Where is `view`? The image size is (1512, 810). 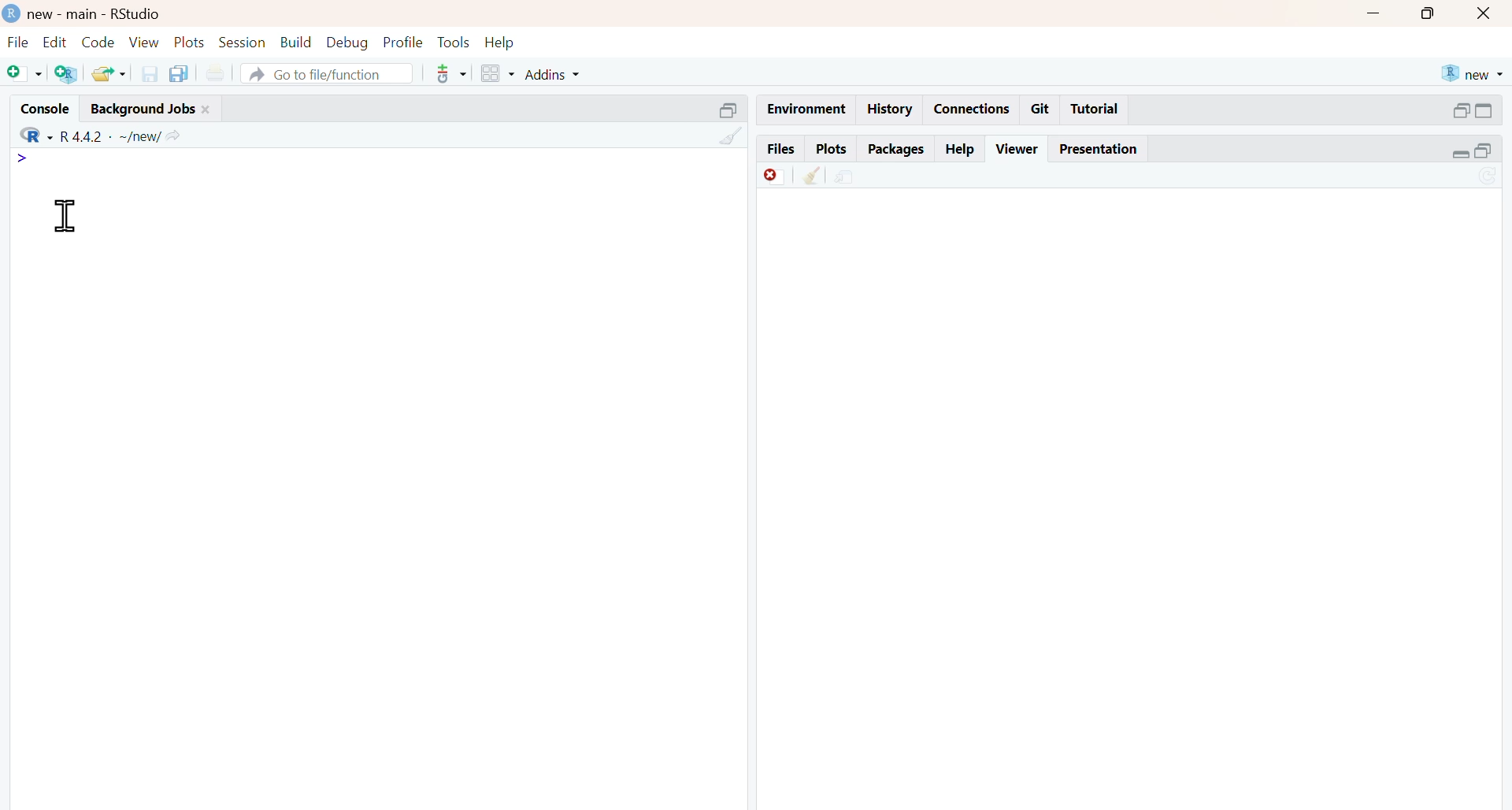 view is located at coordinates (144, 43).